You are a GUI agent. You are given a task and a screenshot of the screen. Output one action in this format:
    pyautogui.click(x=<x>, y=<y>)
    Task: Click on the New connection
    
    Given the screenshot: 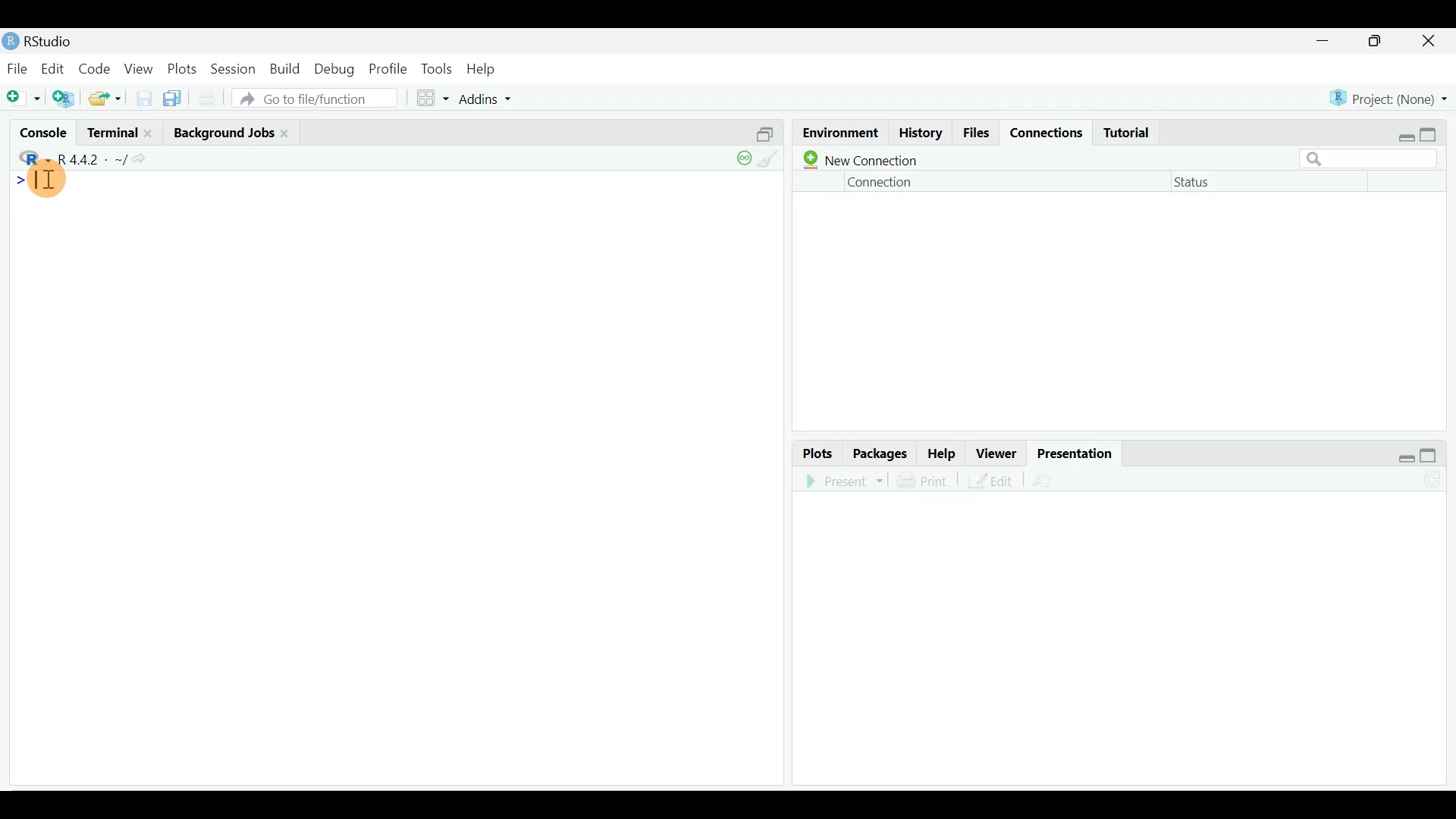 What is the action you would take?
    pyautogui.click(x=861, y=159)
    